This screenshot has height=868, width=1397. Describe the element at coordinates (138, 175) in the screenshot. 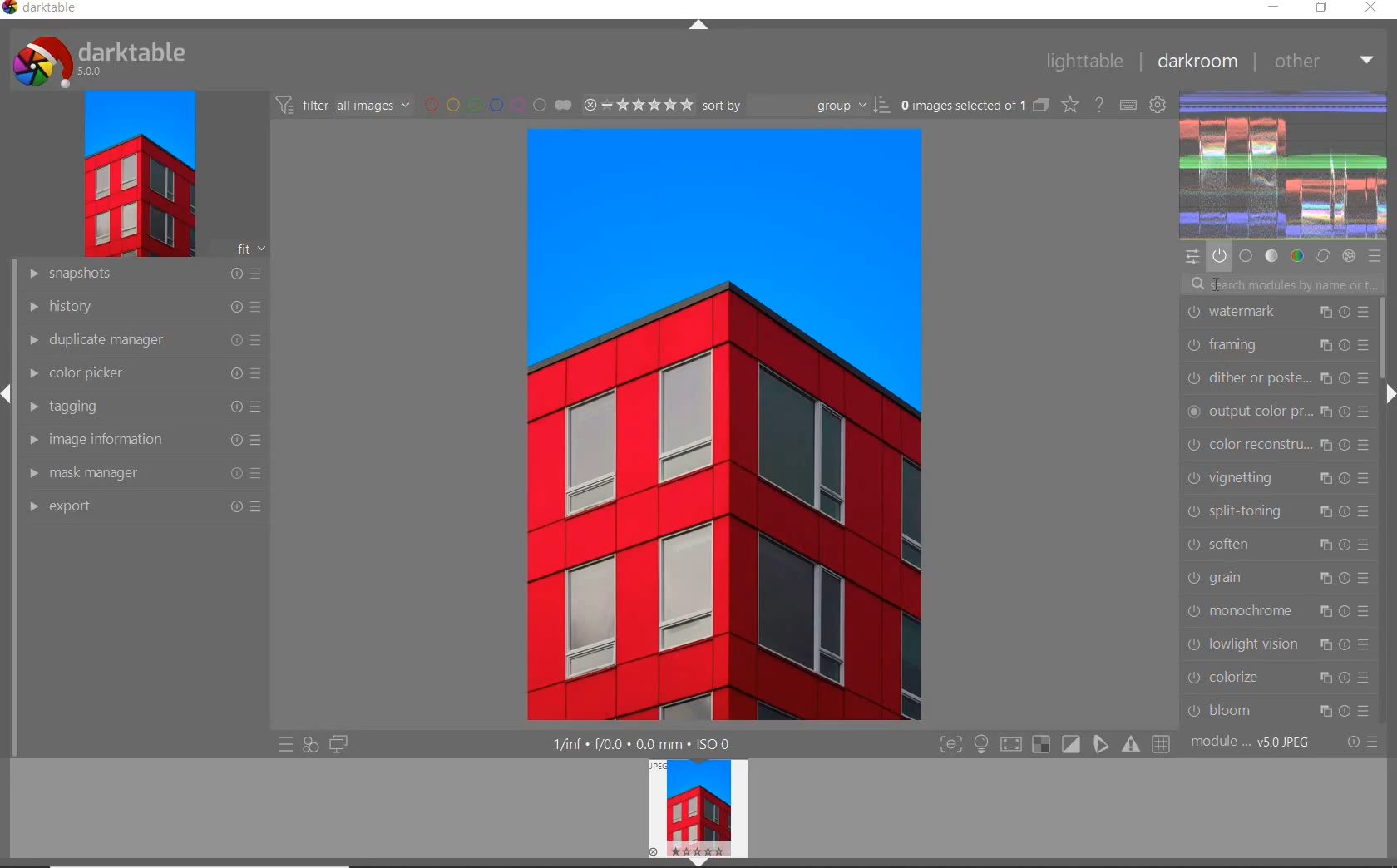

I see `image` at that location.